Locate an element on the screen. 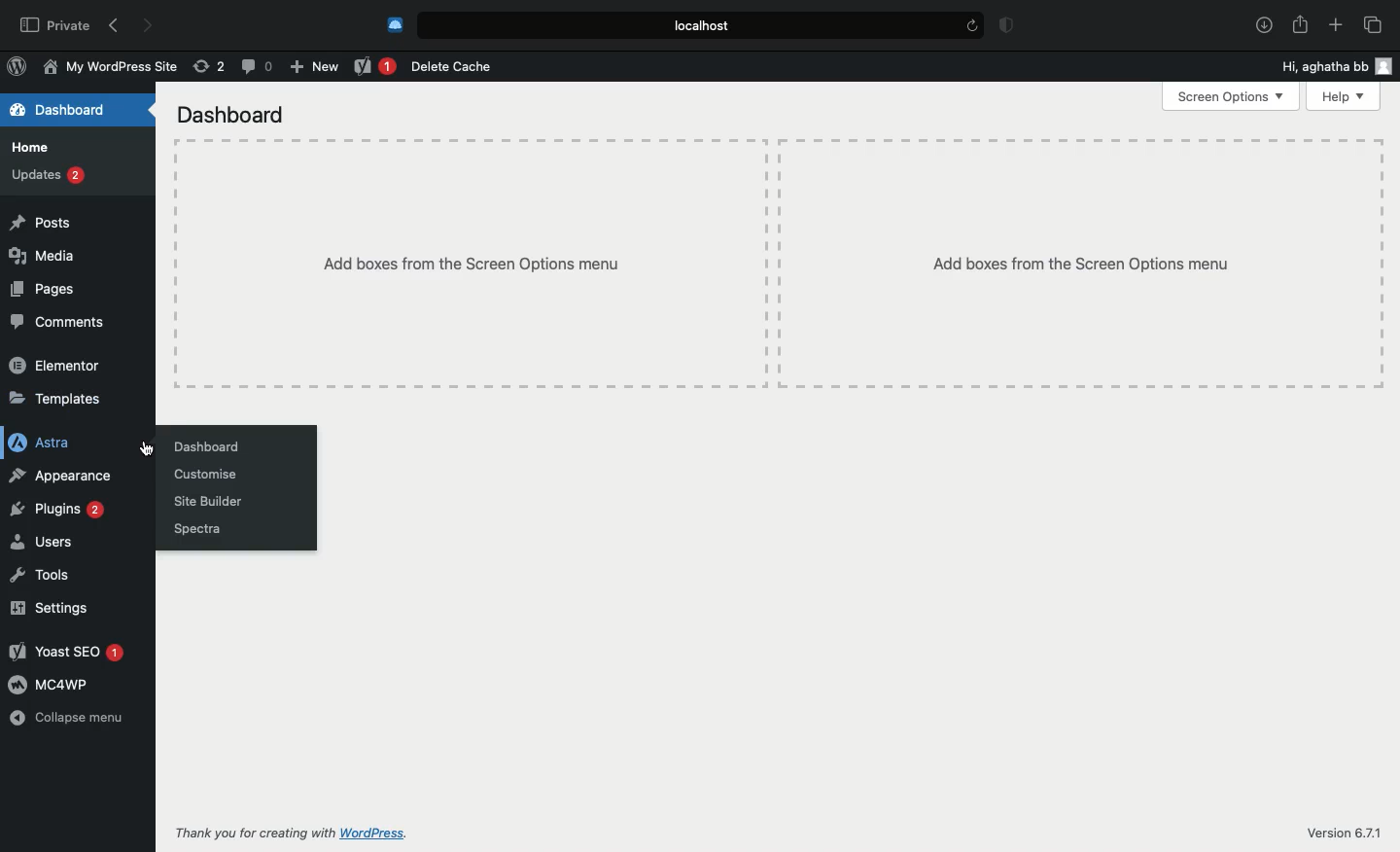  Add boxes from the screen options menu is located at coordinates (468, 263).